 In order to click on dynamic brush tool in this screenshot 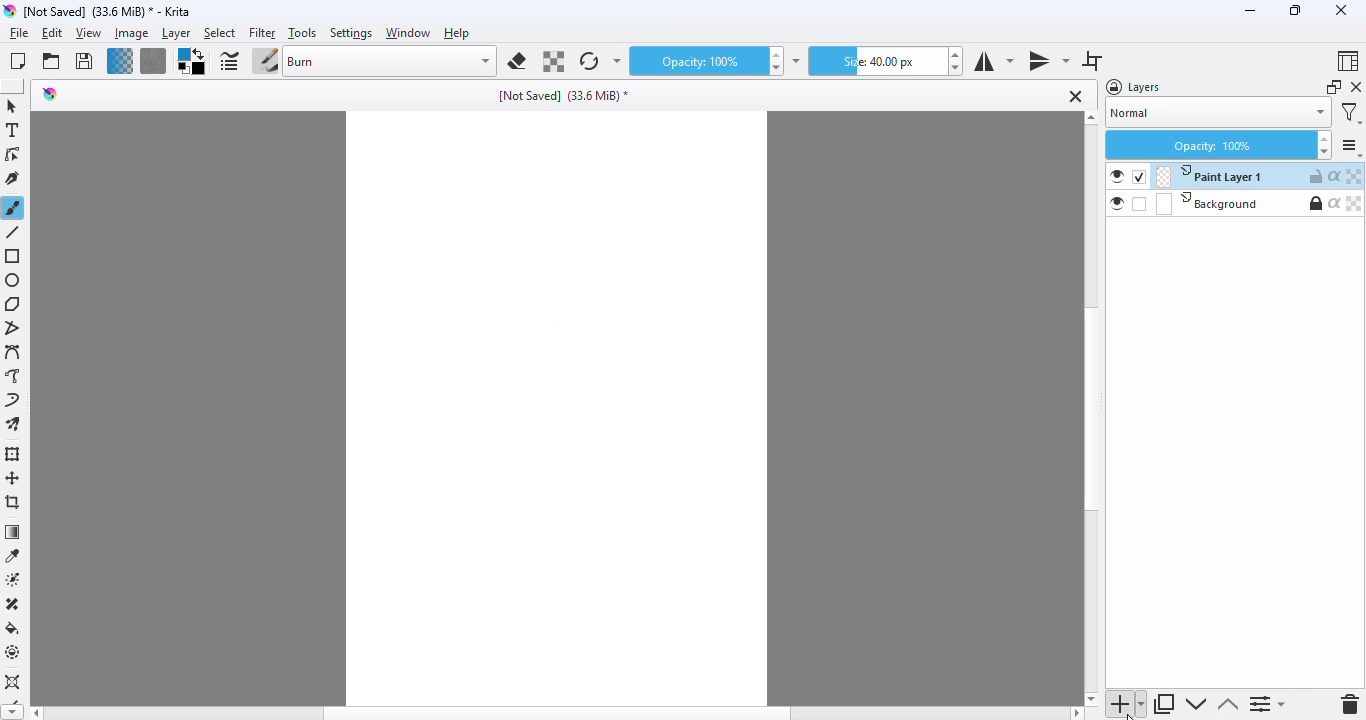, I will do `click(12, 401)`.